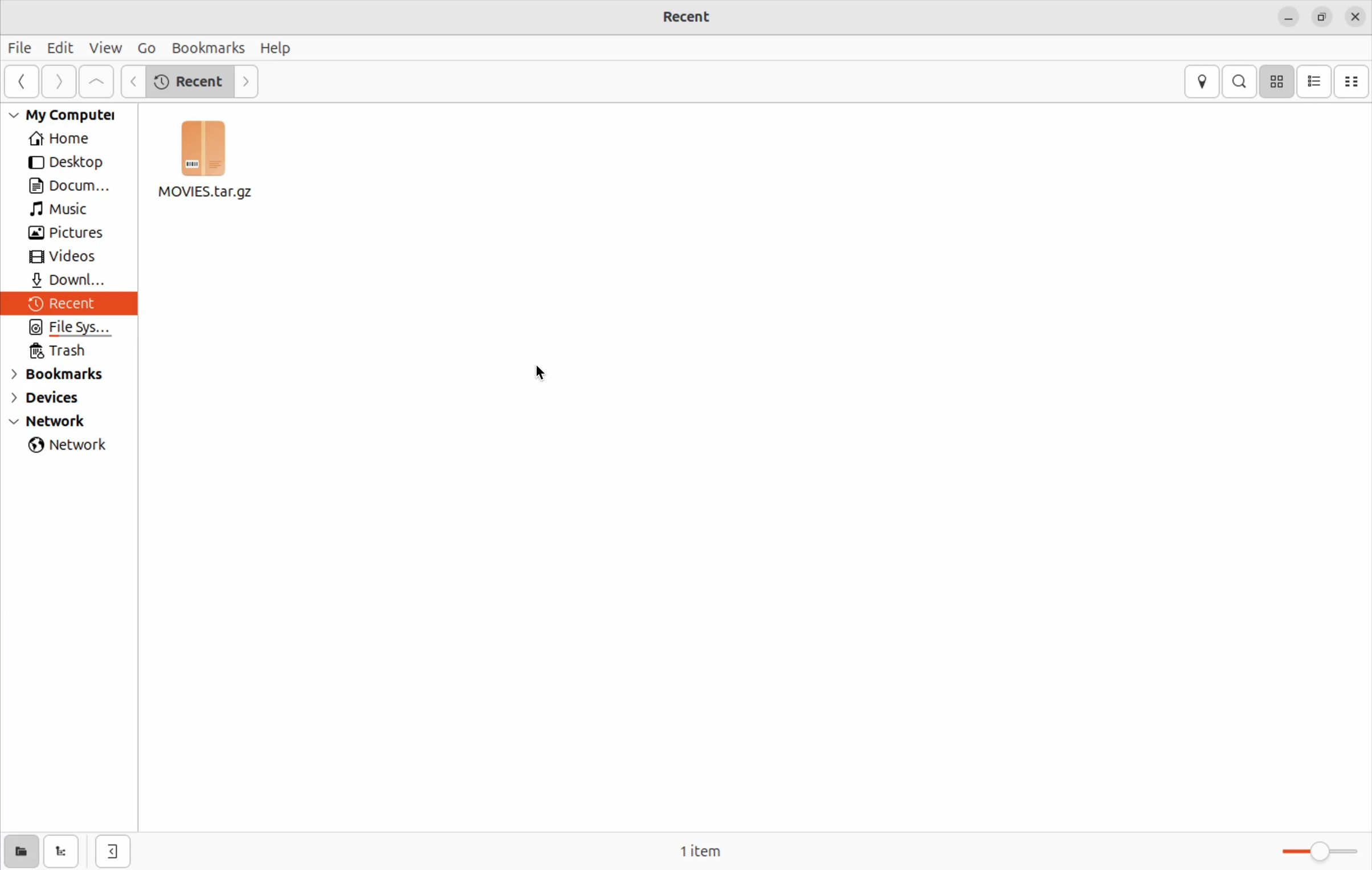  Describe the element at coordinates (1287, 18) in the screenshot. I see `minimize` at that location.